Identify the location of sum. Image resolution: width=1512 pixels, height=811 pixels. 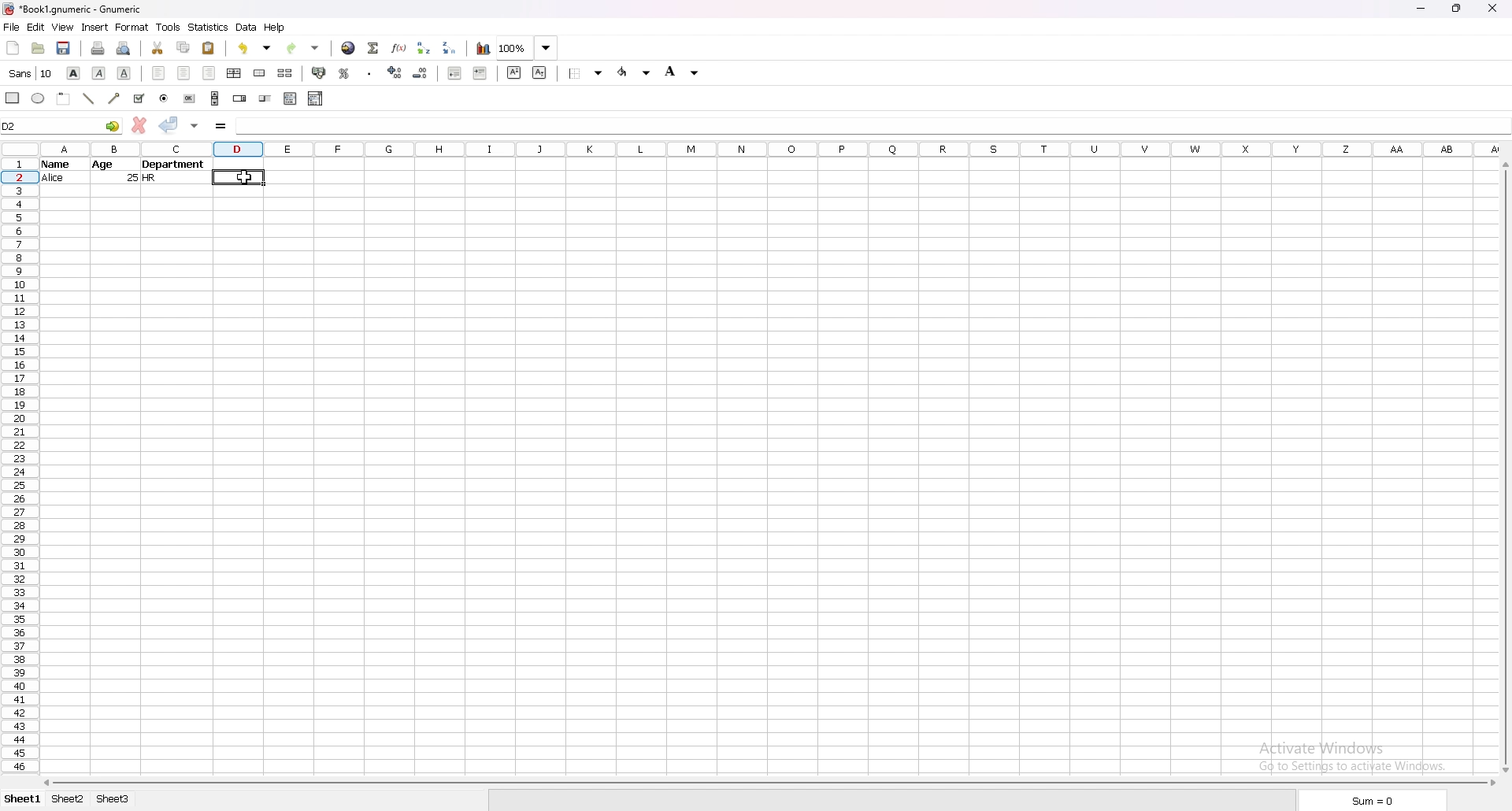
(1368, 800).